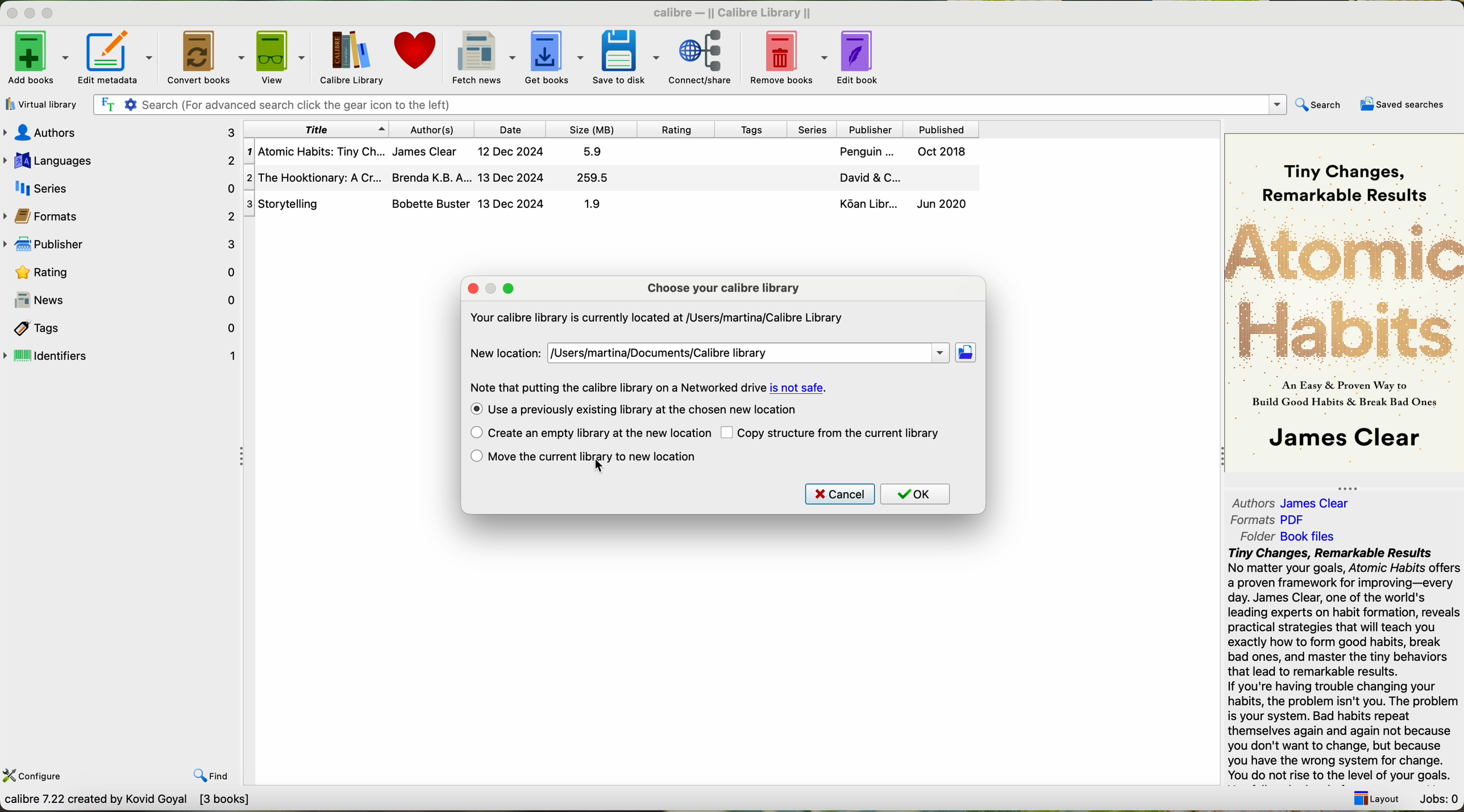  What do you see at coordinates (626, 56) in the screenshot?
I see `save to disk` at bounding box center [626, 56].